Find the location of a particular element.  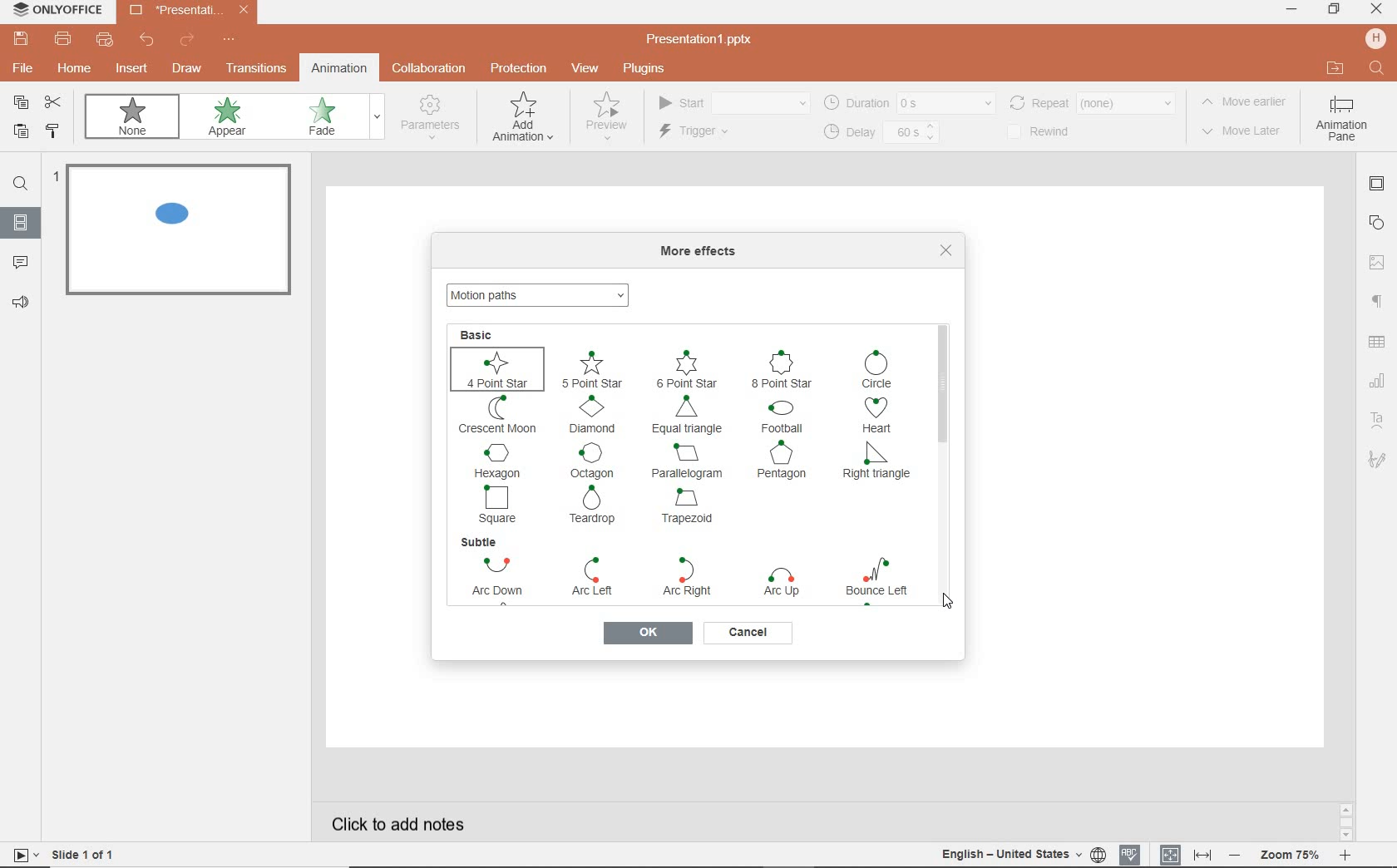

ARC UP is located at coordinates (784, 584).